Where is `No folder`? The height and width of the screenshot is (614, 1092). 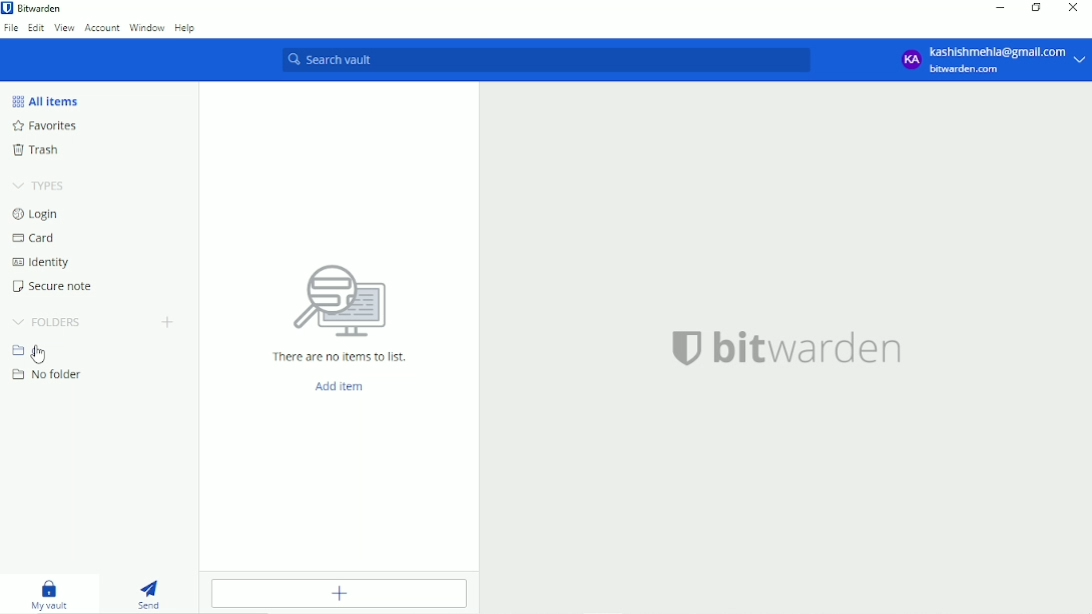 No folder is located at coordinates (49, 375).